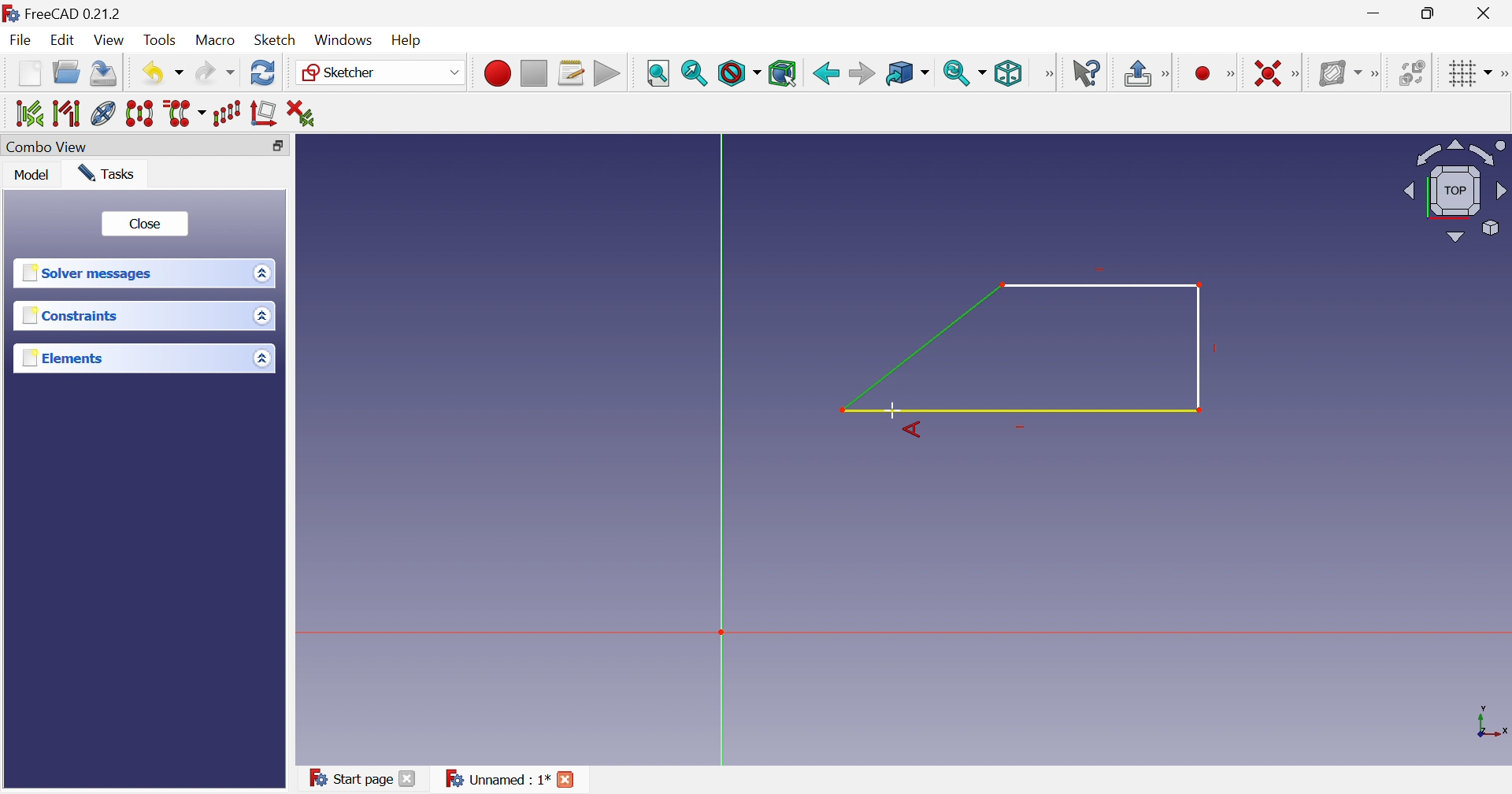  Describe the element at coordinates (300, 112) in the screenshot. I see `Delete all constraints` at that location.